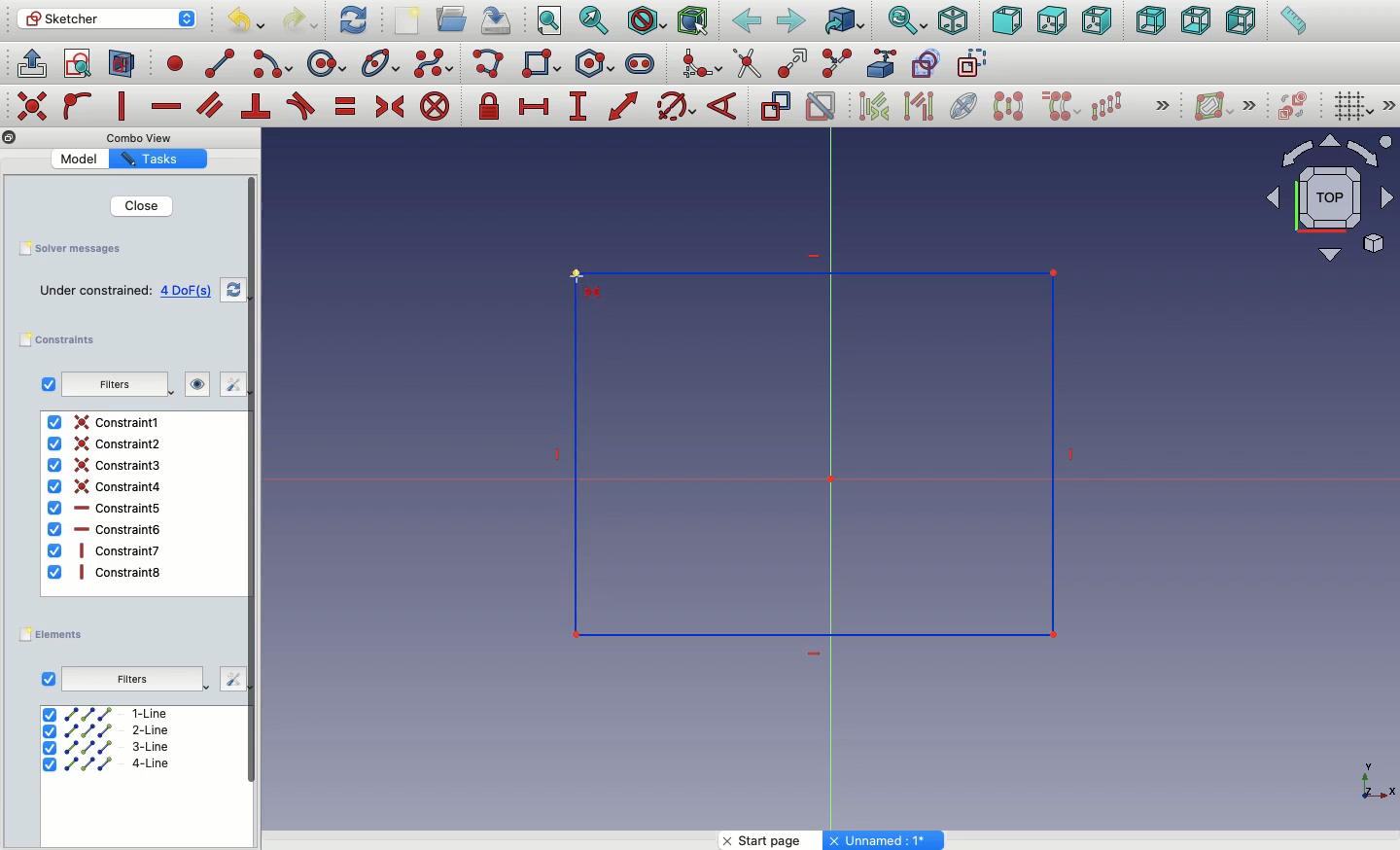 The image size is (1400, 850). I want to click on visibility , so click(193, 384).